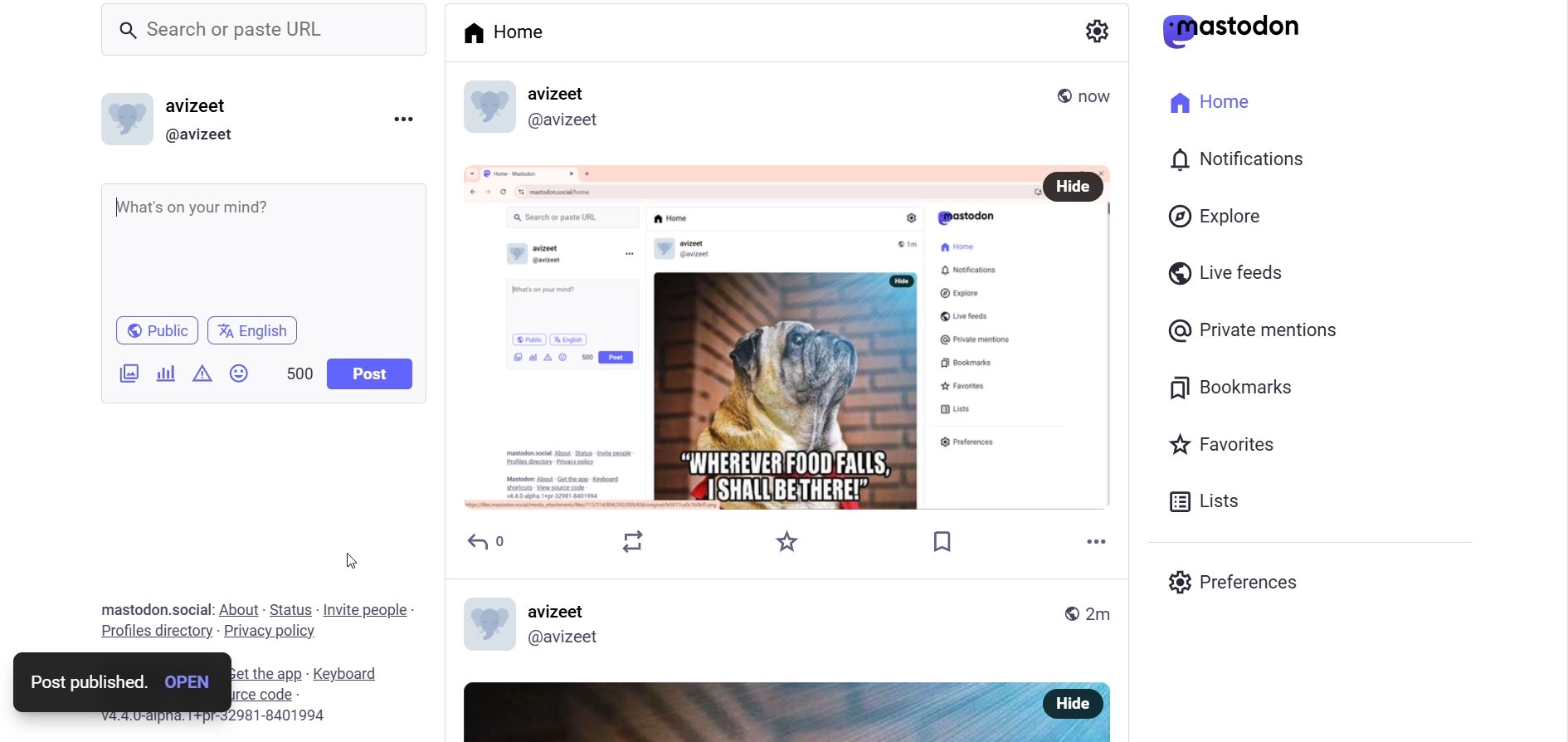 This screenshot has width=1568, height=742. Describe the element at coordinates (240, 610) in the screenshot. I see `about` at that location.